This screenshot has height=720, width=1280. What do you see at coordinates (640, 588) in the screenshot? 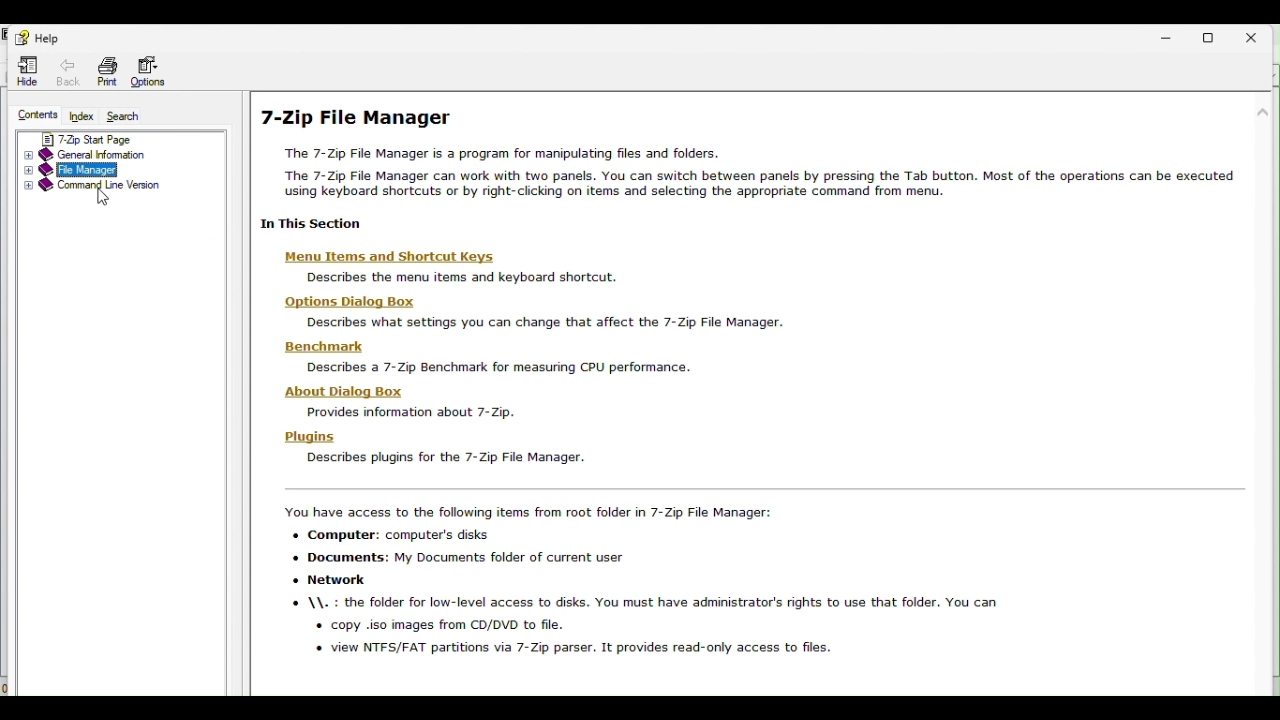
I see `7 zip file manager access items` at bounding box center [640, 588].